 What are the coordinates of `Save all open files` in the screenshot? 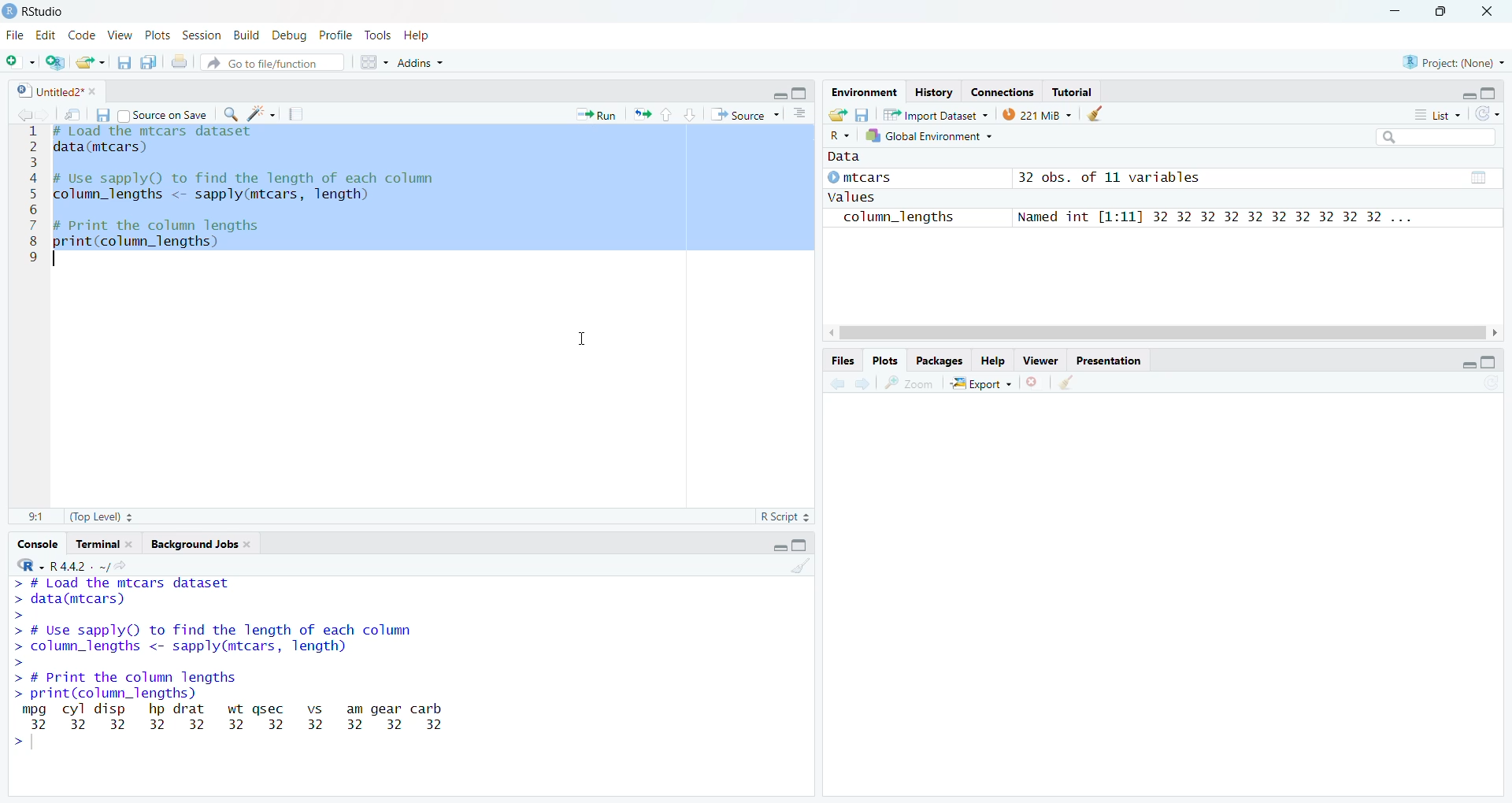 It's located at (149, 61).